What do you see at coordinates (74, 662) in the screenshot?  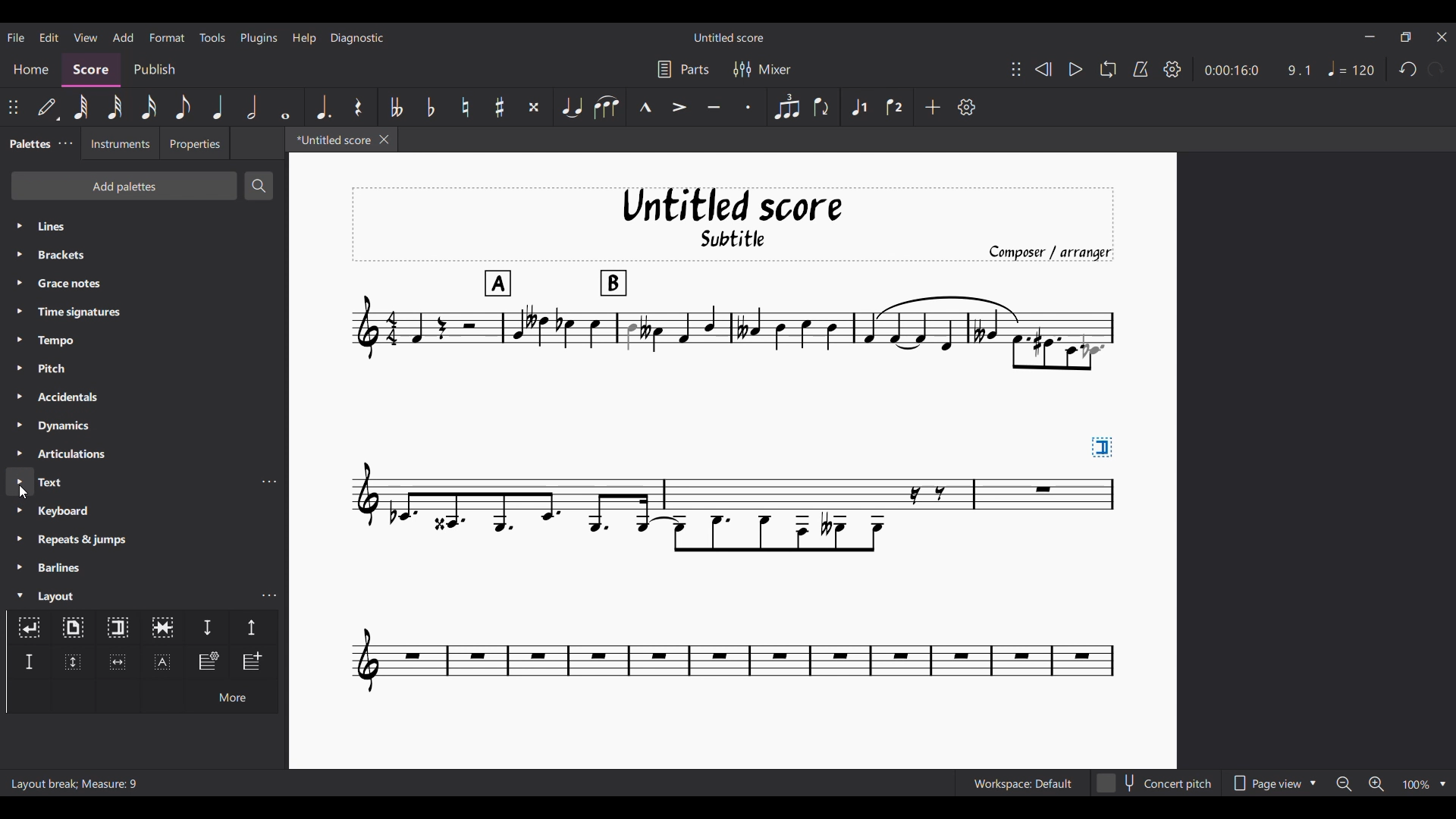 I see `Insert vertical frame` at bounding box center [74, 662].